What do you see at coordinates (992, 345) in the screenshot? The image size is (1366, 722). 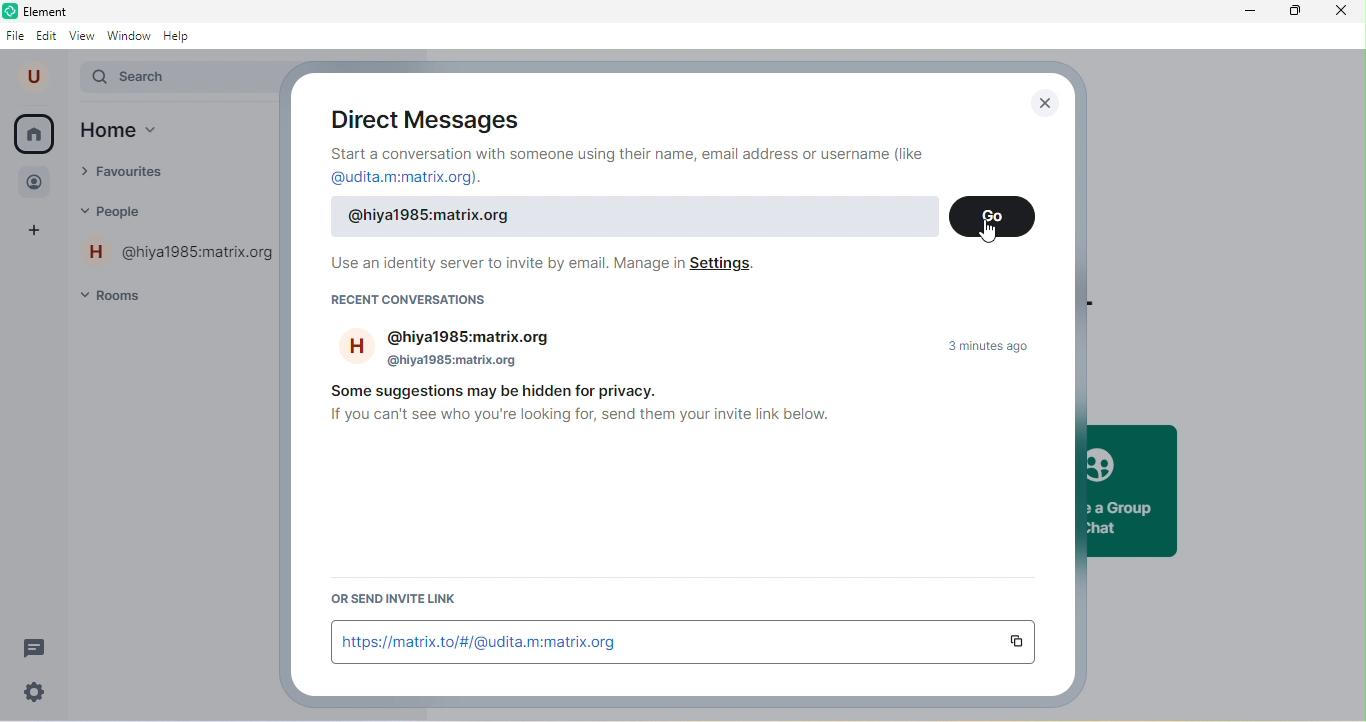 I see `3 min ago` at bounding box center [992, 345].